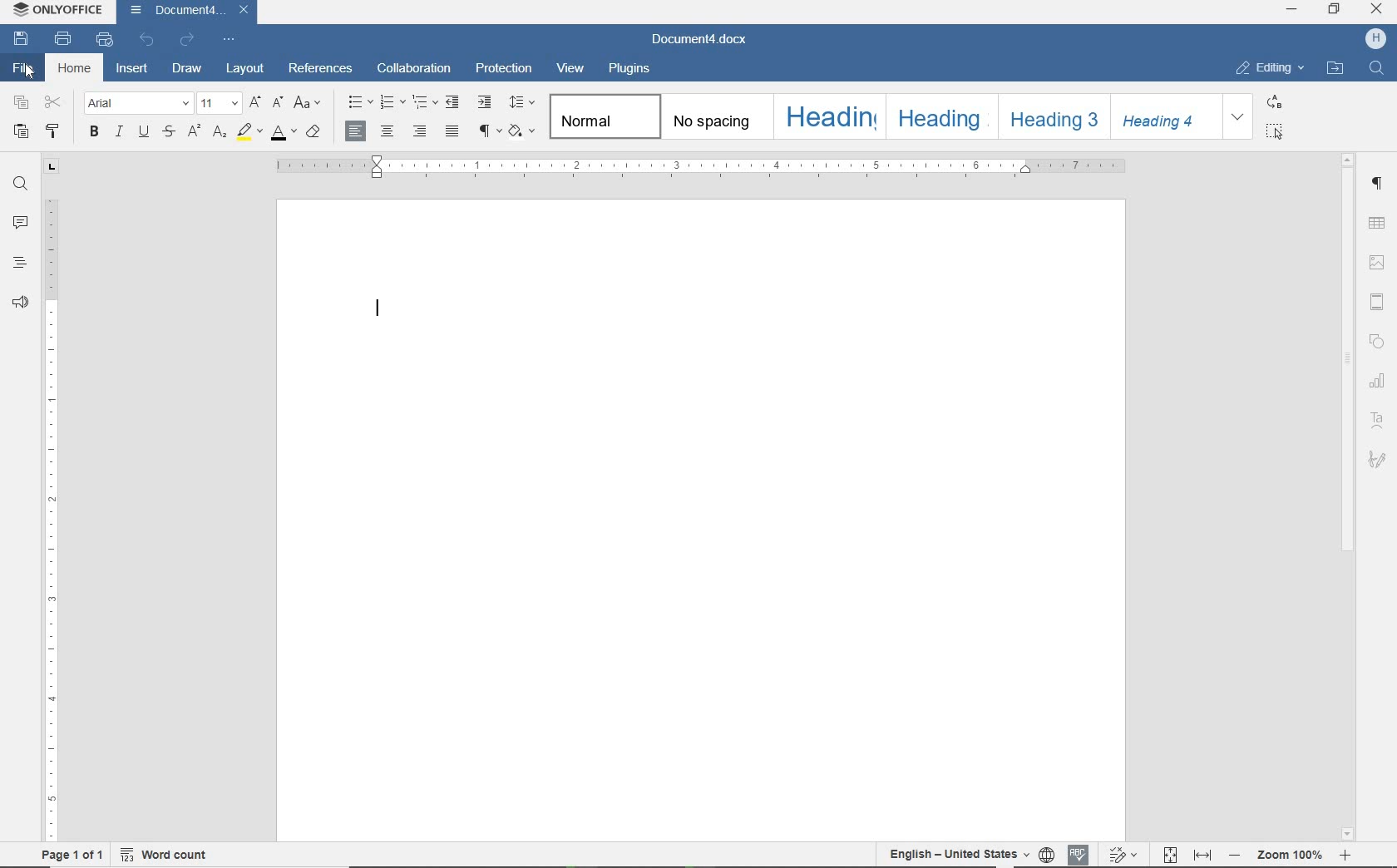 The width and height of the screenshot is (1397, 868). Describe the element at coordinates (702, 166) in the screenshot. I see `ruler` at that location.